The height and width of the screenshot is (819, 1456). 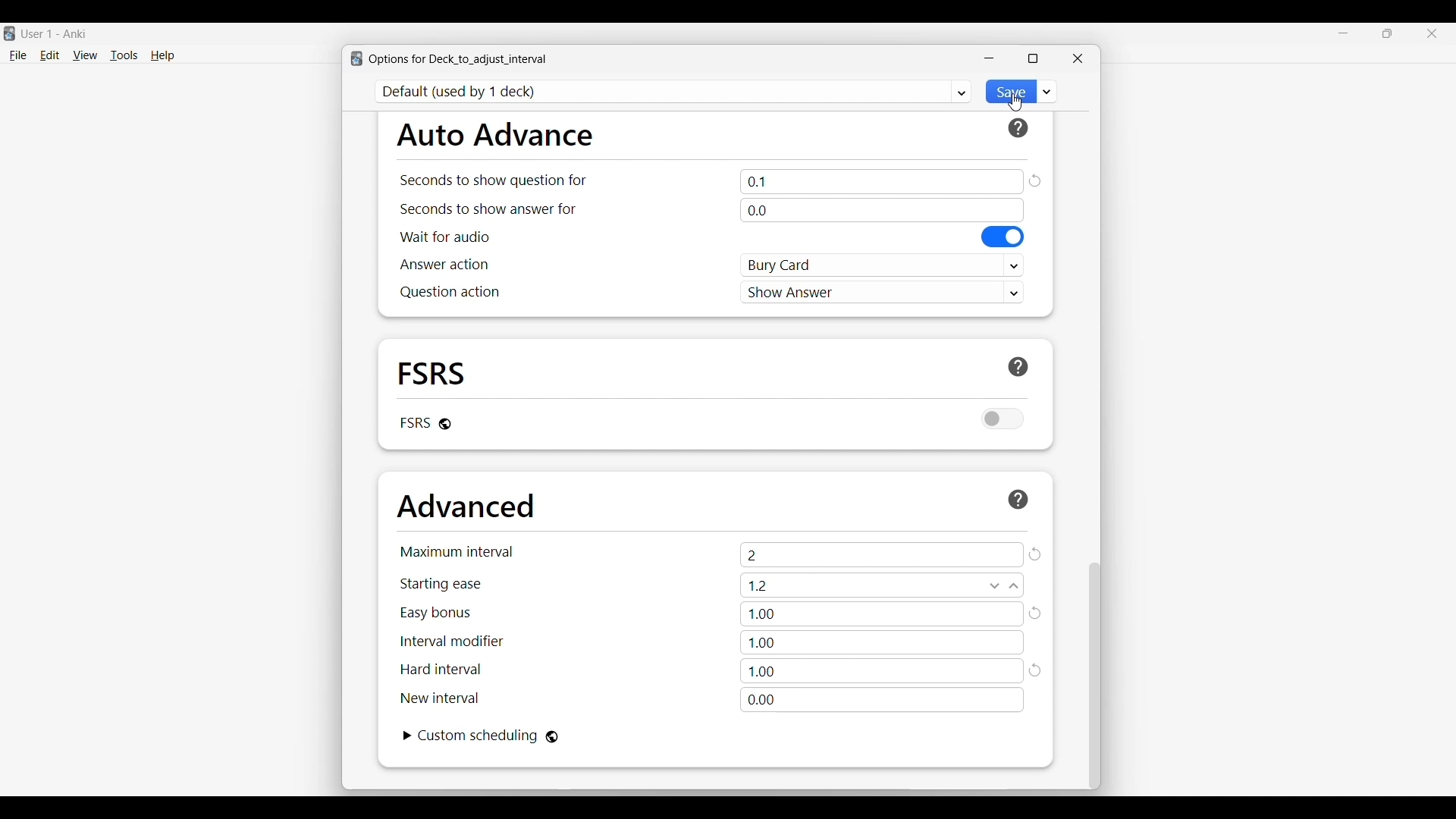 What do you see at coordinates (162, 56) in the screenshot?
I see `Help menu` at bounding box center [162, 56].